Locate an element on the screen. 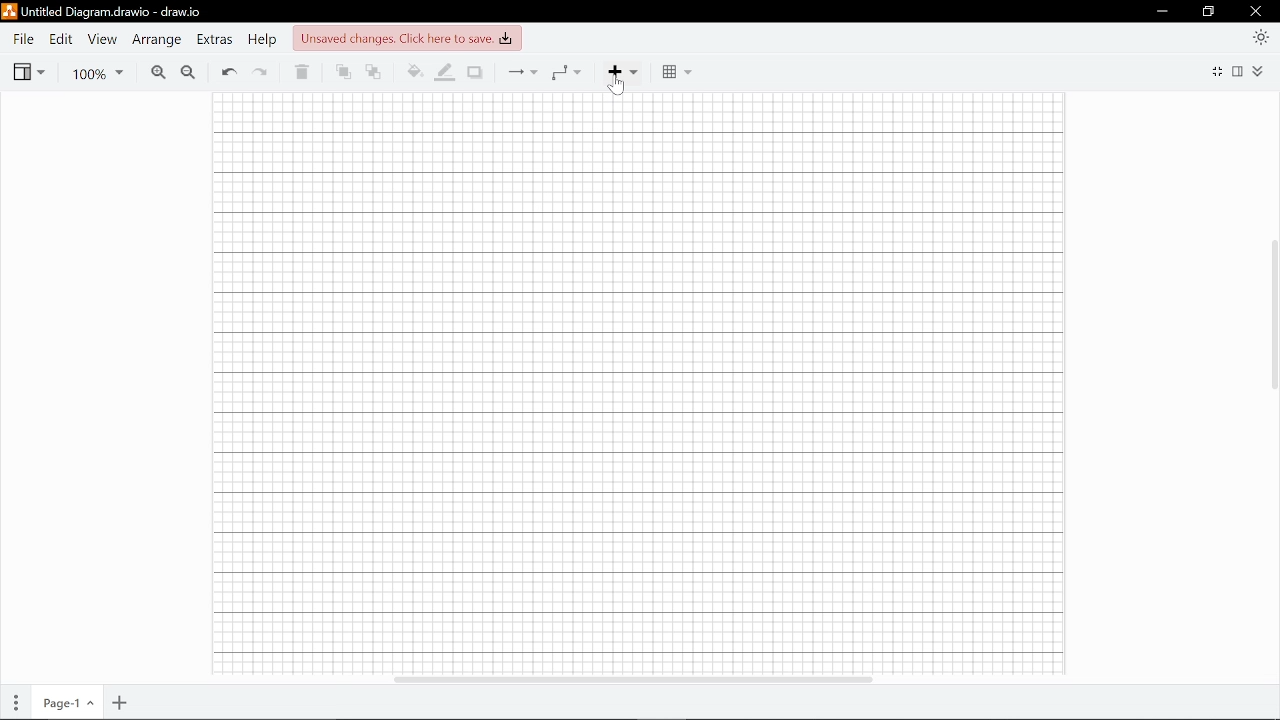  File is located at coordinates (22, 40).